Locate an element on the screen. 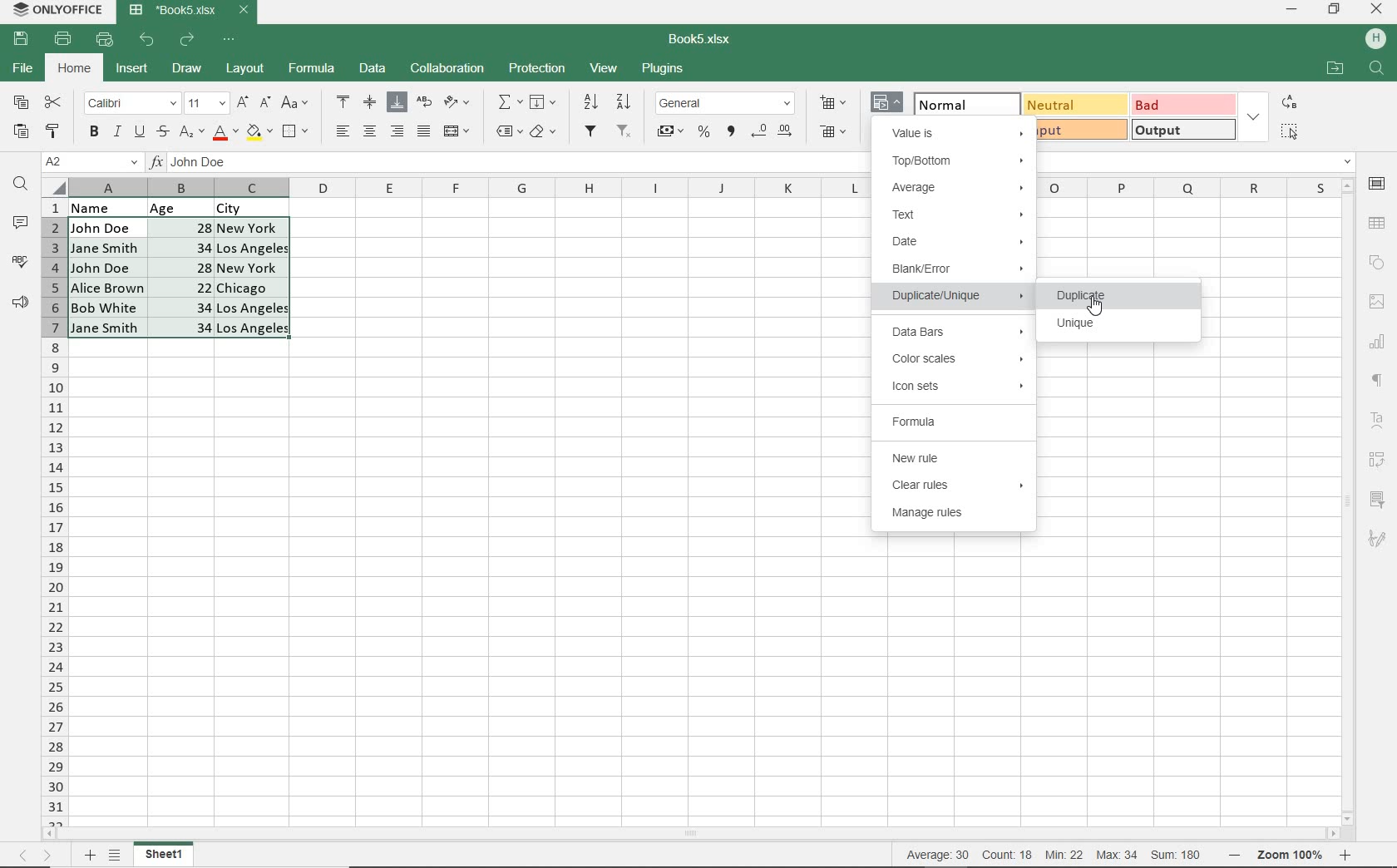 This screenshot has width=1397, height=868. CELLS SELECTED is located at coordinates (180, 278).